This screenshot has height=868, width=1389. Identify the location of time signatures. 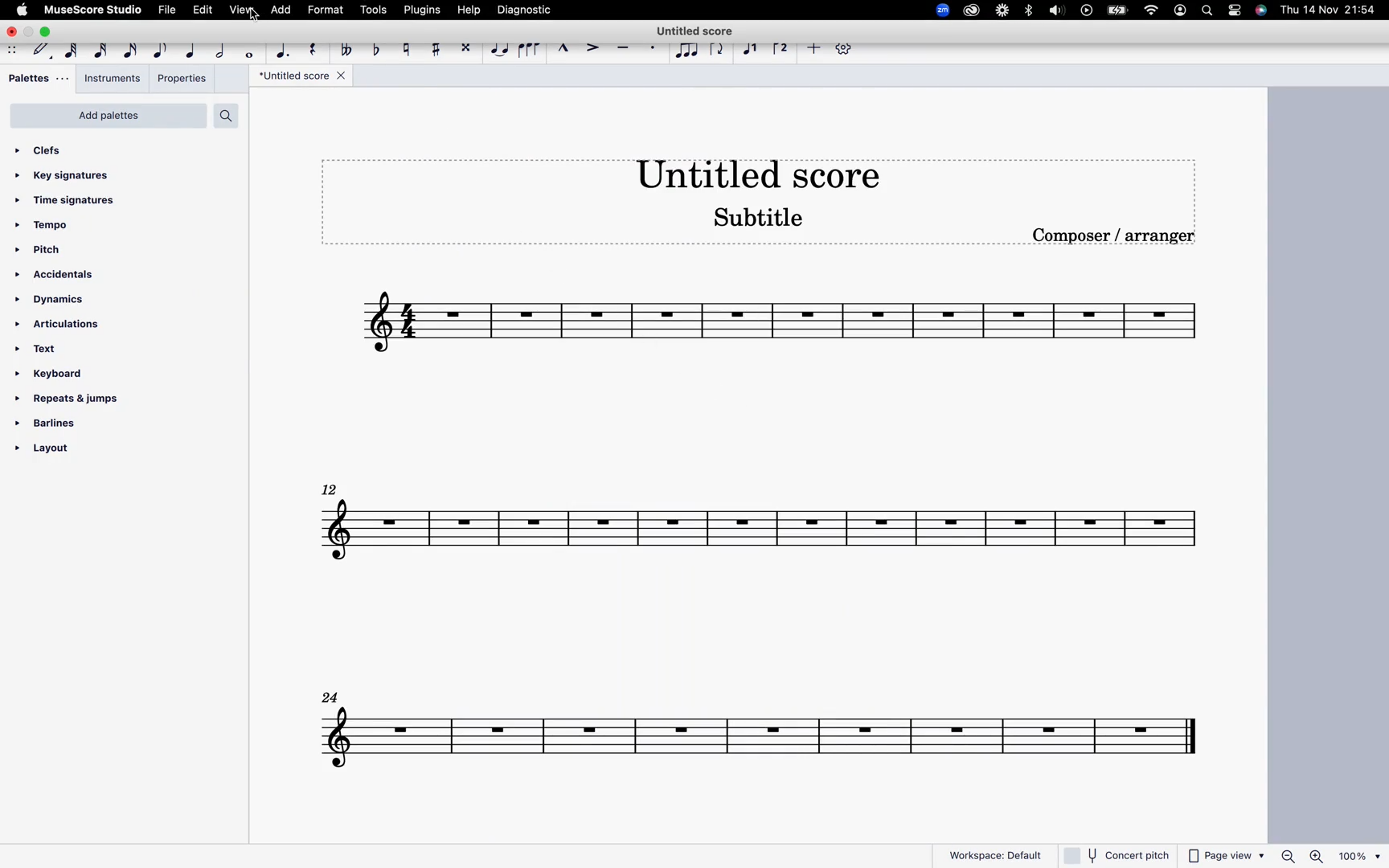
(68, 202).